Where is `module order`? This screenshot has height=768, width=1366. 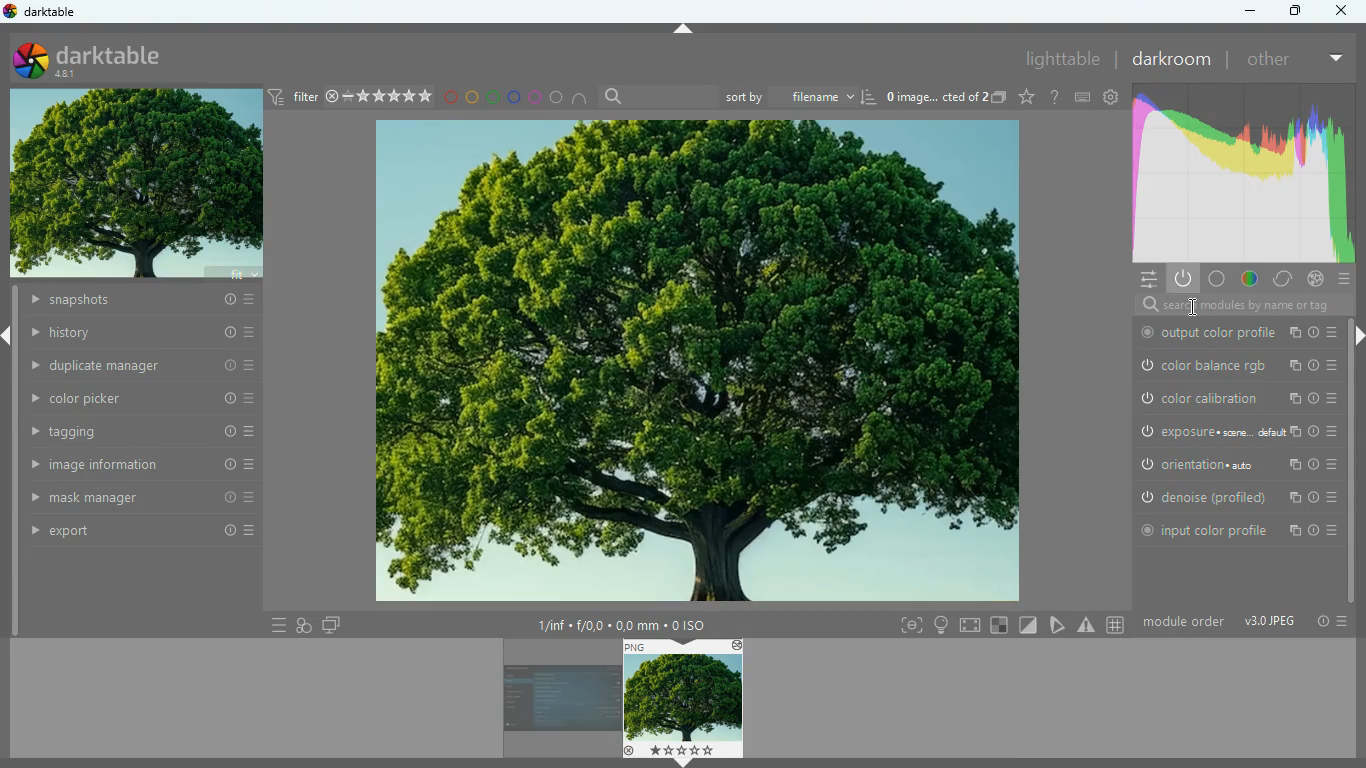 module order is located at coordinates (1184, 623).